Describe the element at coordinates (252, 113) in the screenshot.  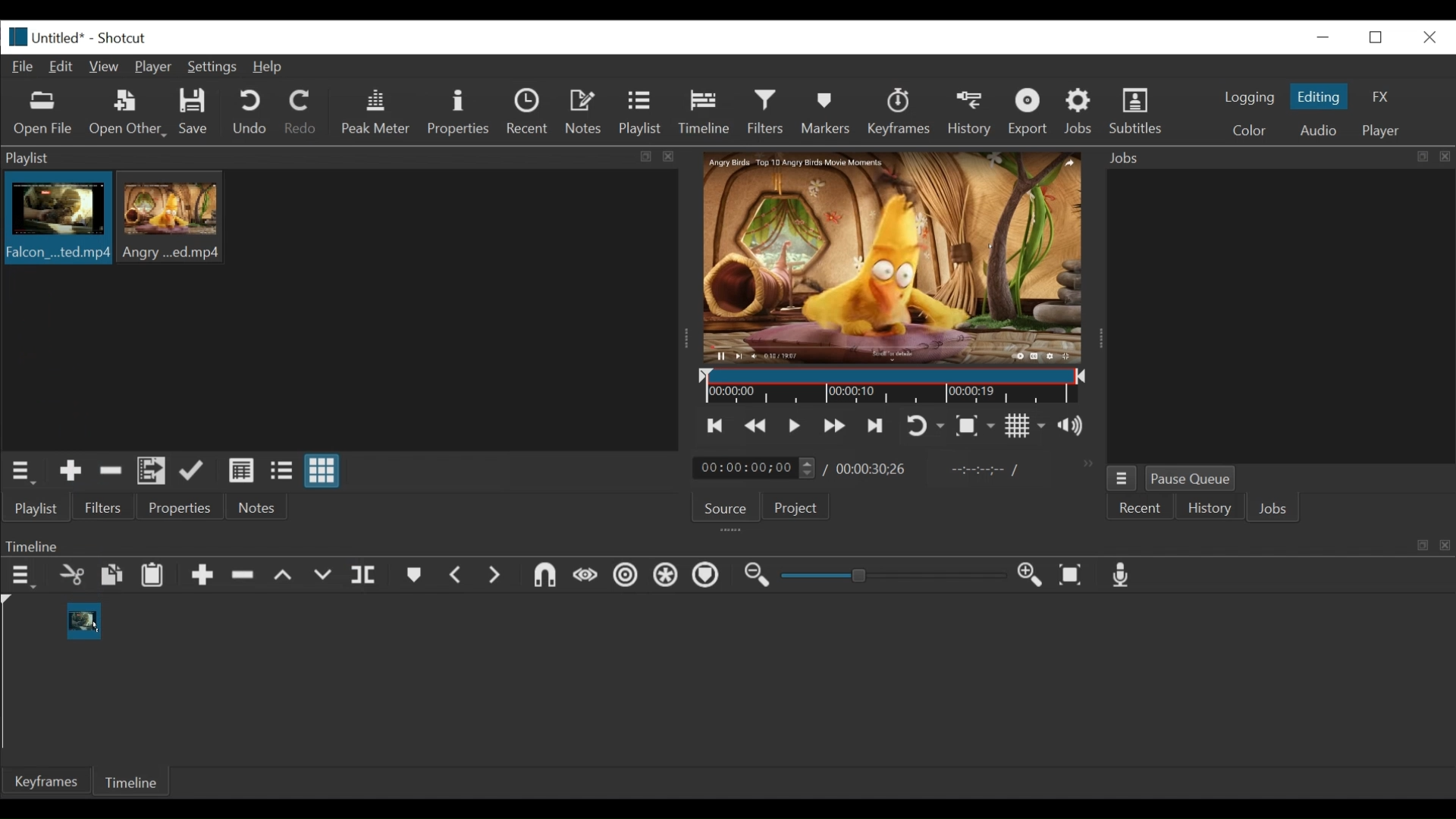
I see `Undo` at that location.